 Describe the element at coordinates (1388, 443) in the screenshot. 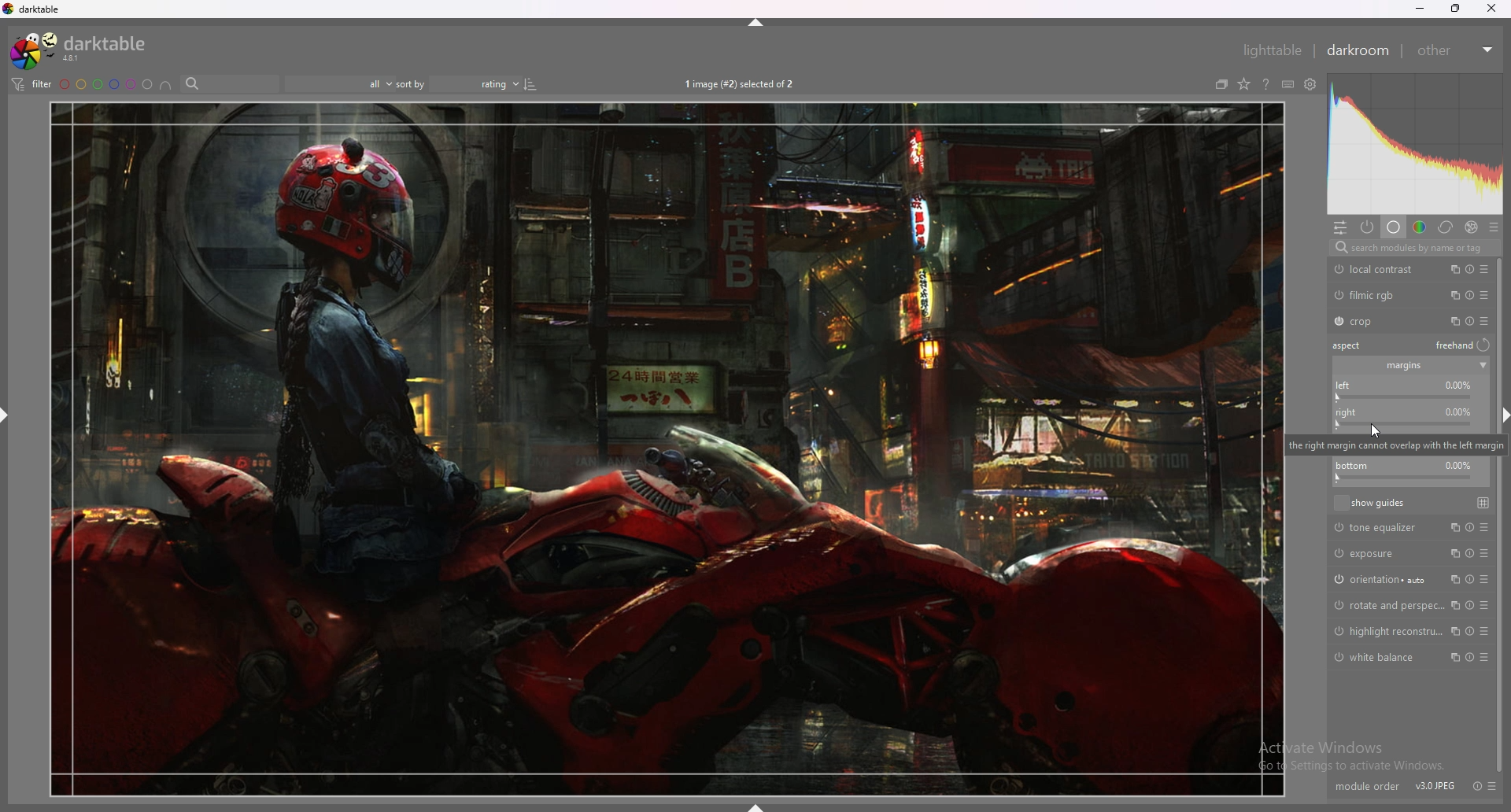

I see `description` at that location.